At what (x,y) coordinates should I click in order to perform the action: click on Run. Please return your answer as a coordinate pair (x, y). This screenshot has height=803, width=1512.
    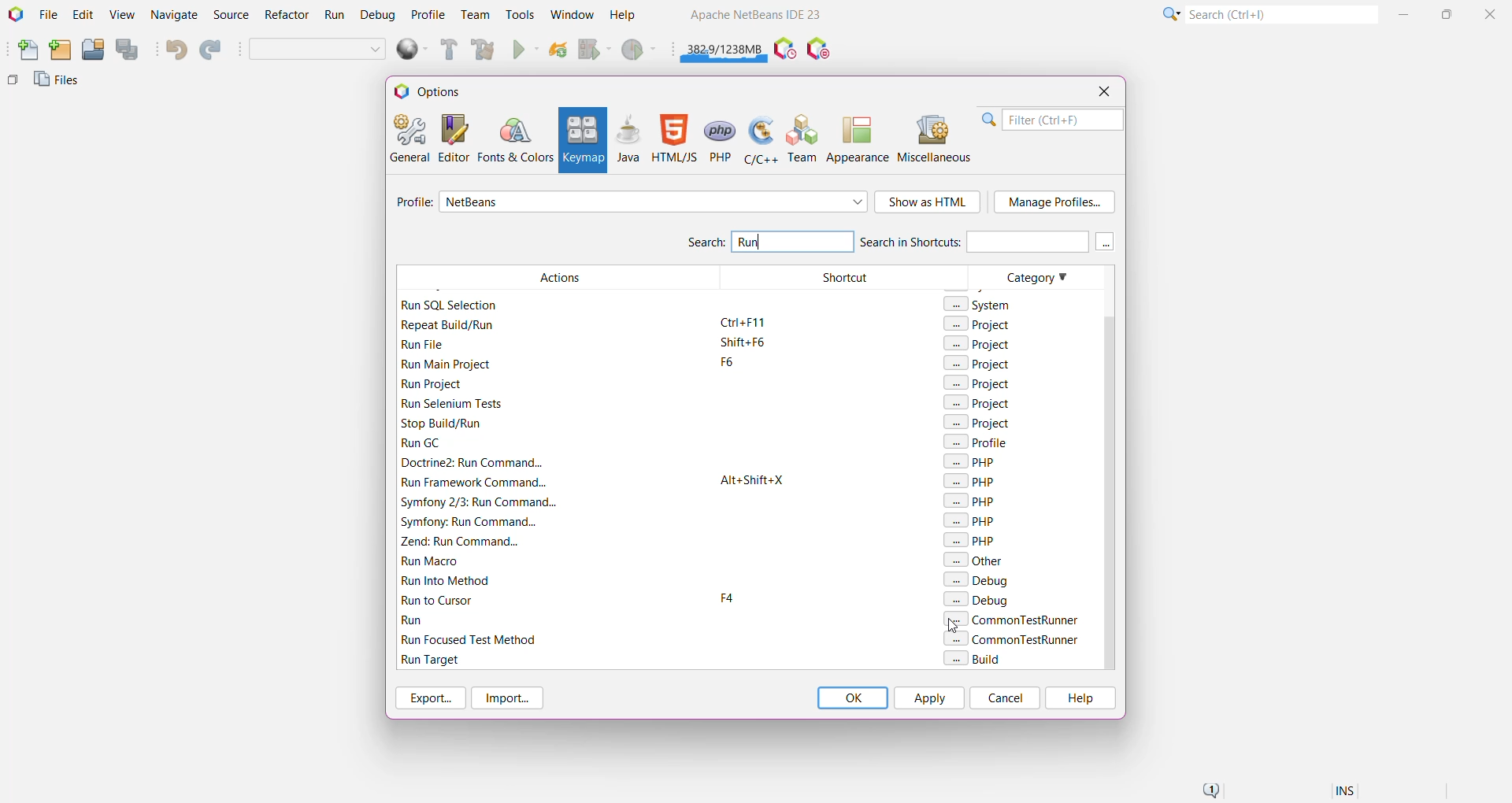
    Looking at the image, I should click on (335, 17).